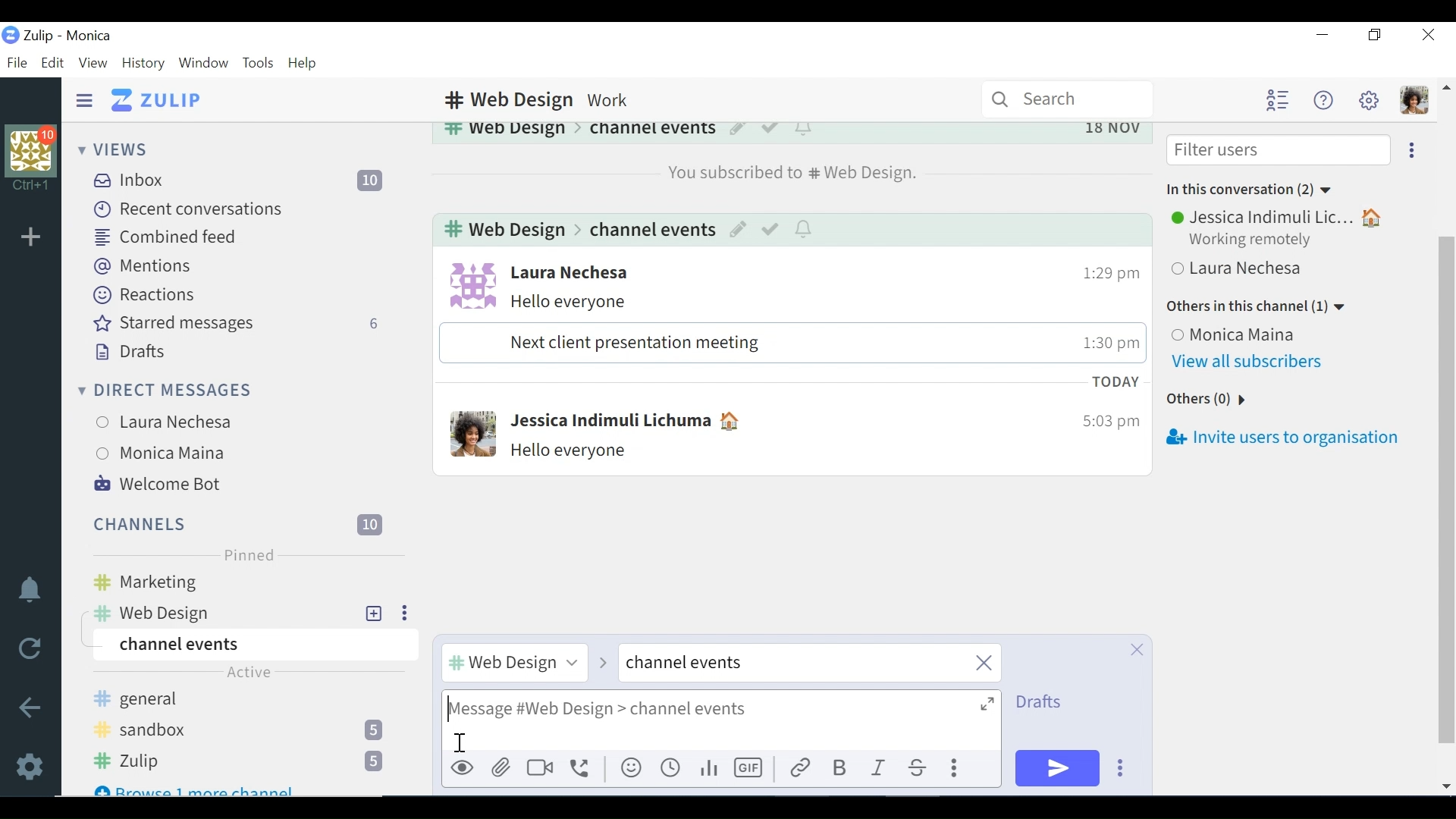 Image resolution: width=1456 pixels, height=819 pixels. What do you see at coordinates (1252, 190) in the screenshot?
I see `In this conversation` at bounding box center [1252, 190].